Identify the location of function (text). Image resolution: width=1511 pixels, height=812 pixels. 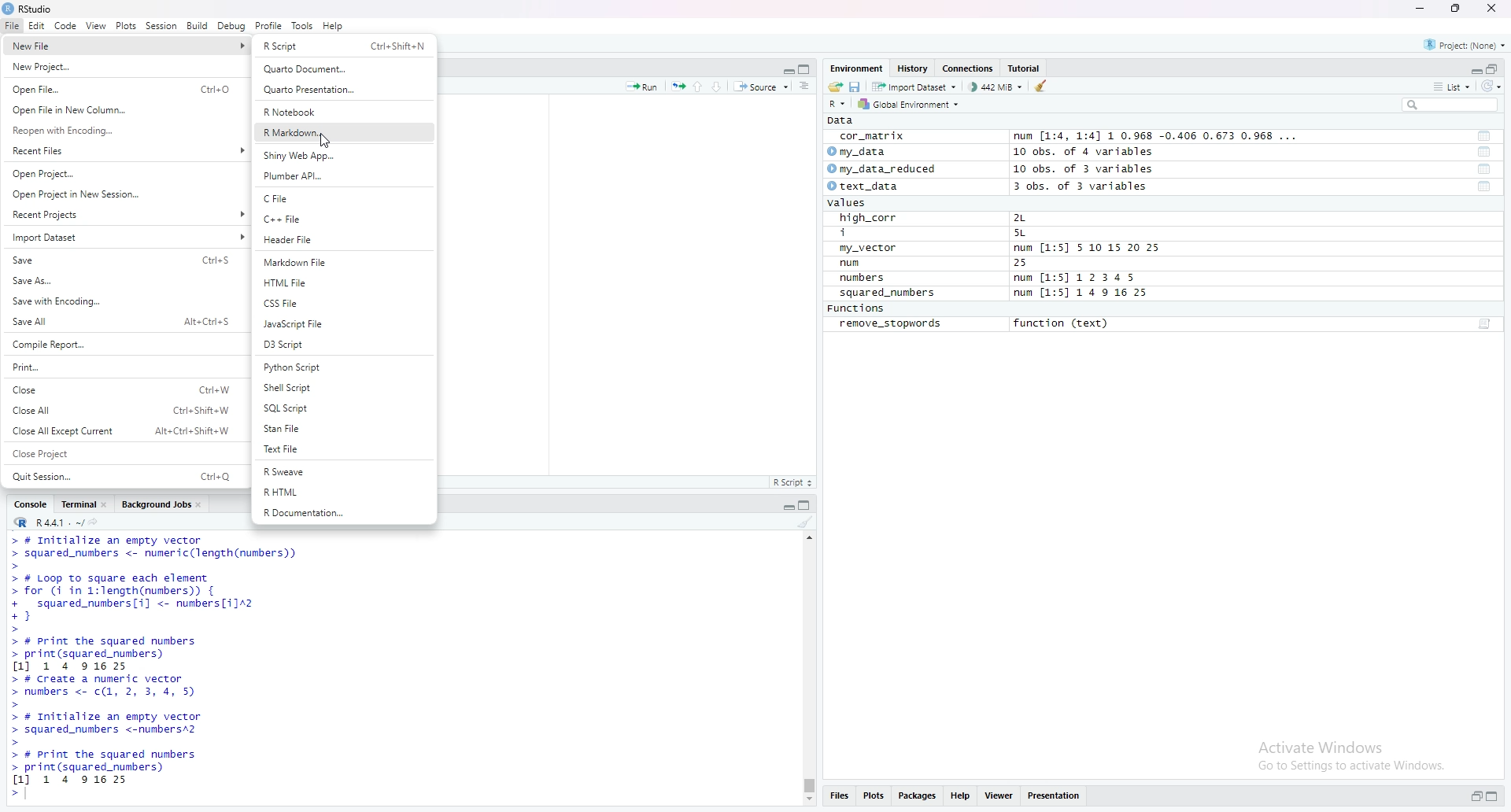
(1064, 325).